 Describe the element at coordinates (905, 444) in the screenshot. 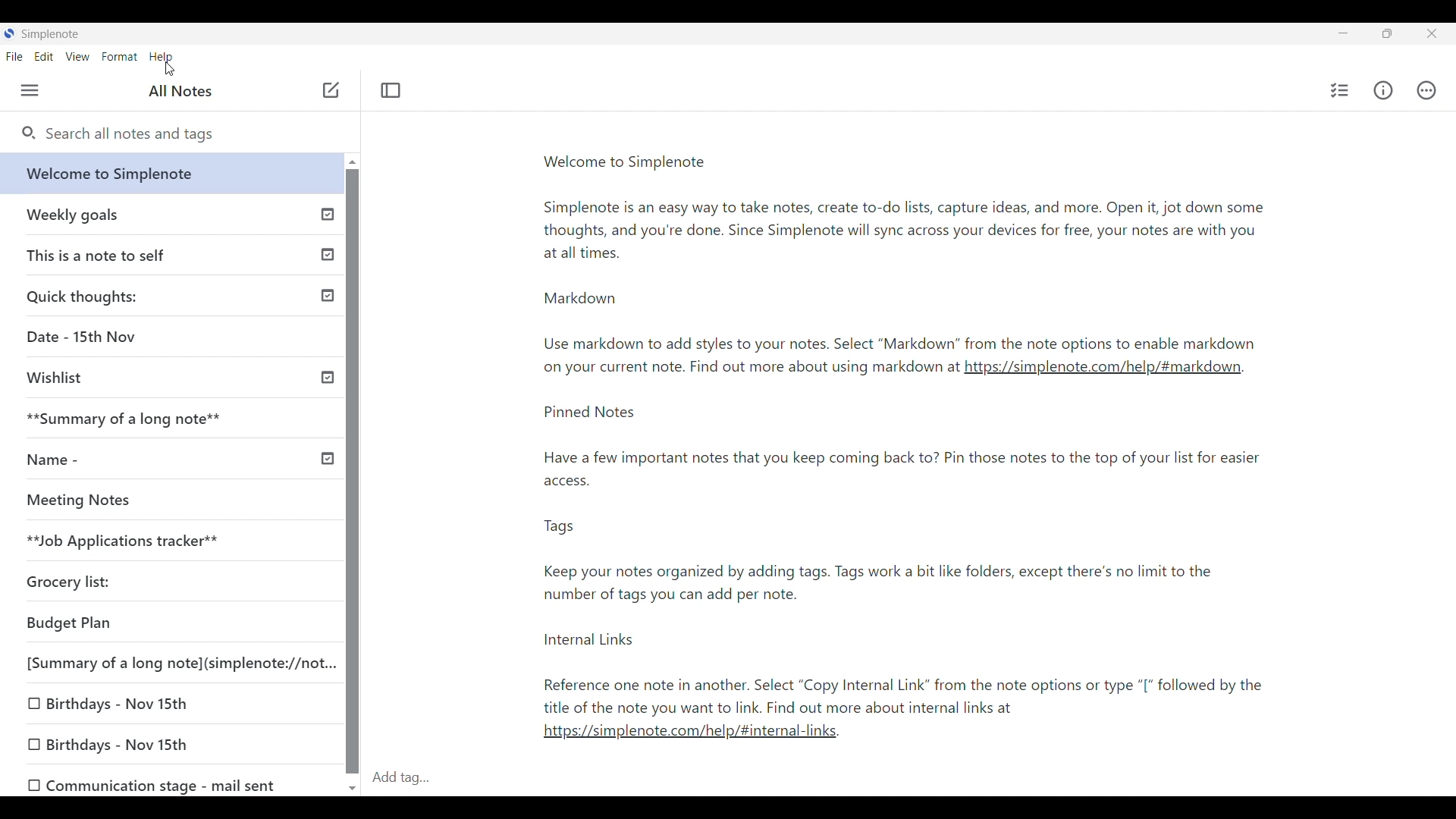

I see `Pinned Notes
Have a few important notes that you keep coming back to? Pin those notes to the top of your list for easier
access.` at that location.